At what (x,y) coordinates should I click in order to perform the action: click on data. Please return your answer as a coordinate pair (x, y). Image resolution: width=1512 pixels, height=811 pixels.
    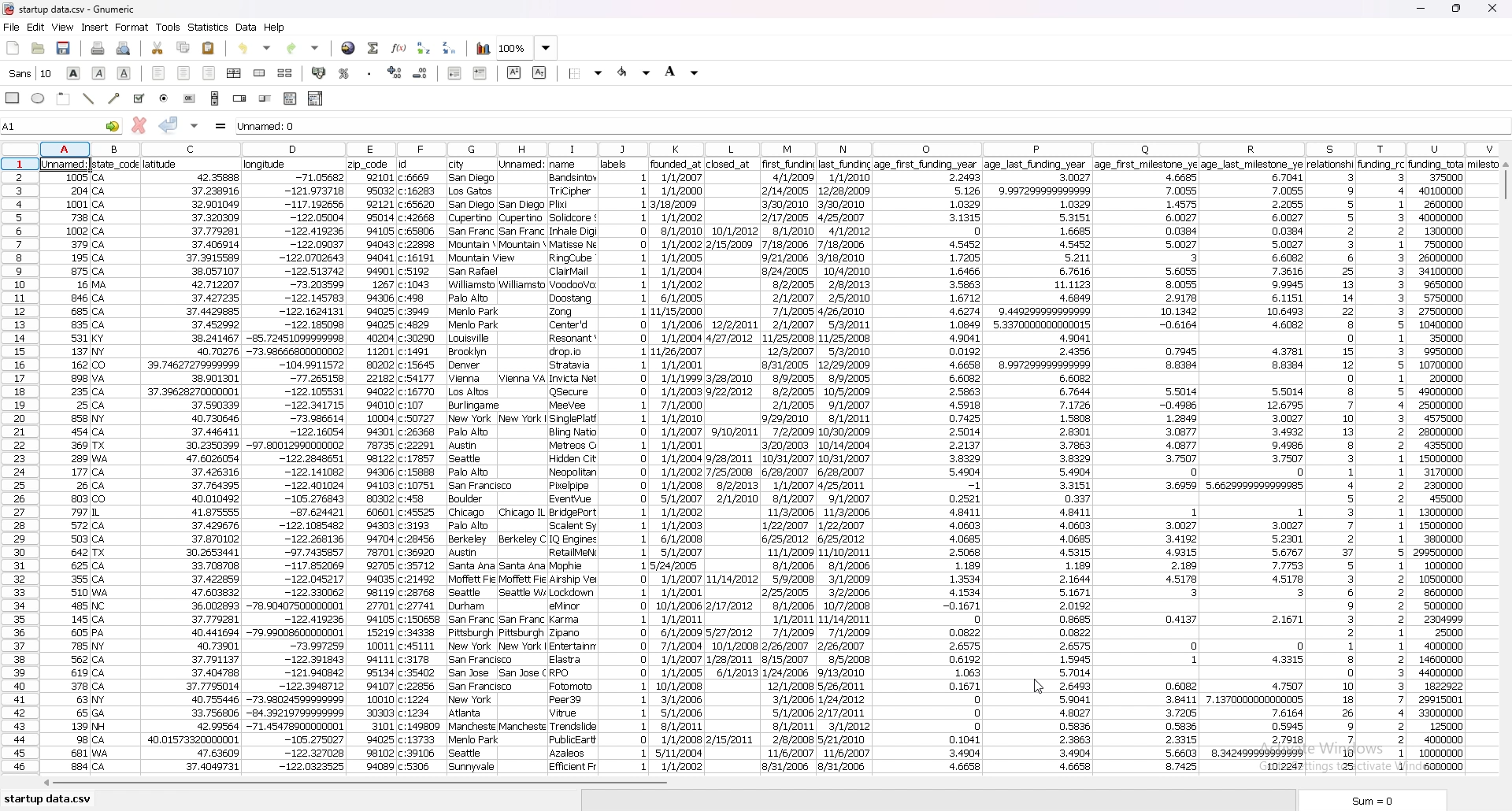
    Looking at the image, I should click on (572, 466).